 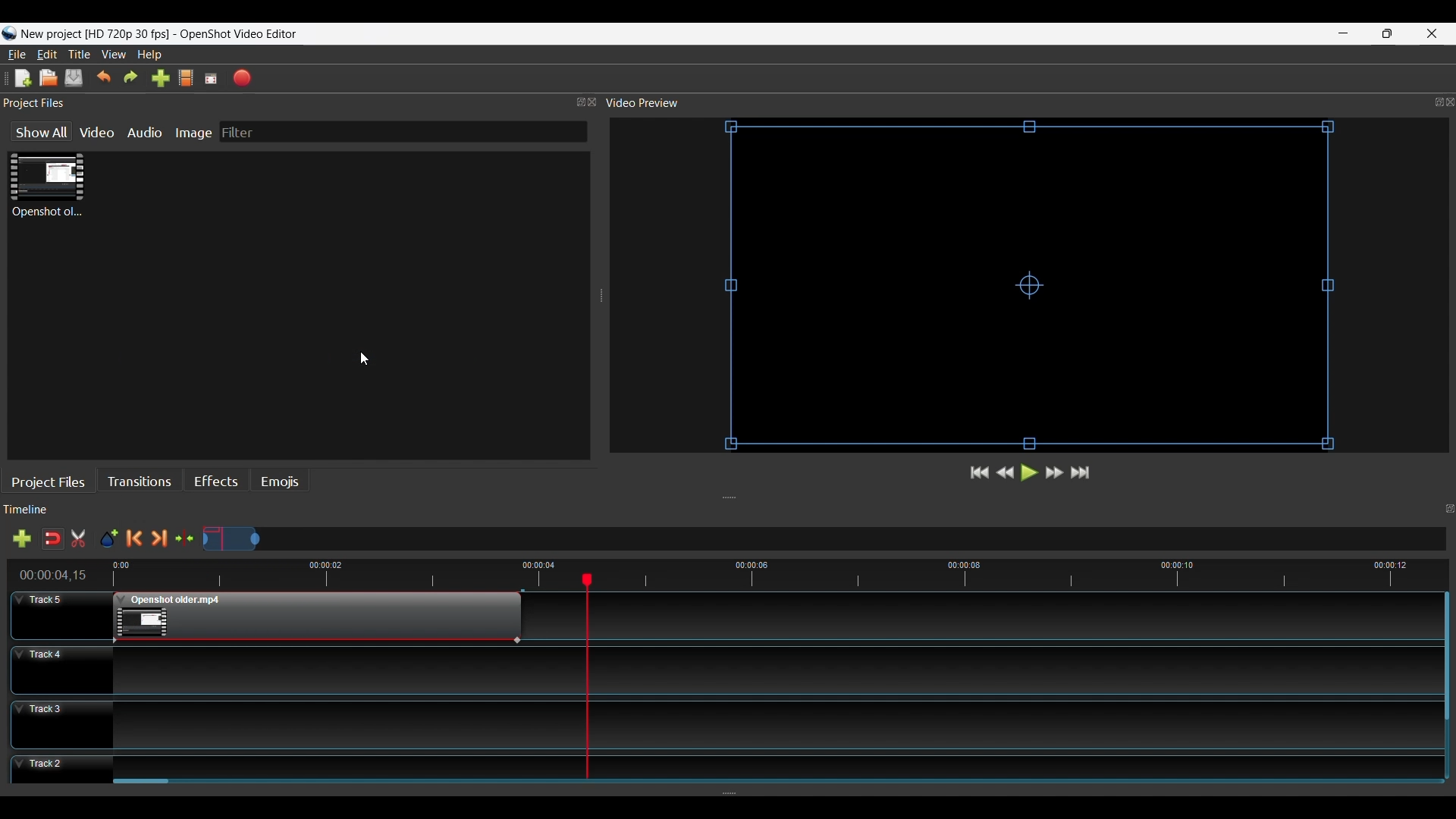 What do you see at coordinates (9, 34) in the screenshot?
I see `Openshot Desktop icon` at bounding box center [9, 34].